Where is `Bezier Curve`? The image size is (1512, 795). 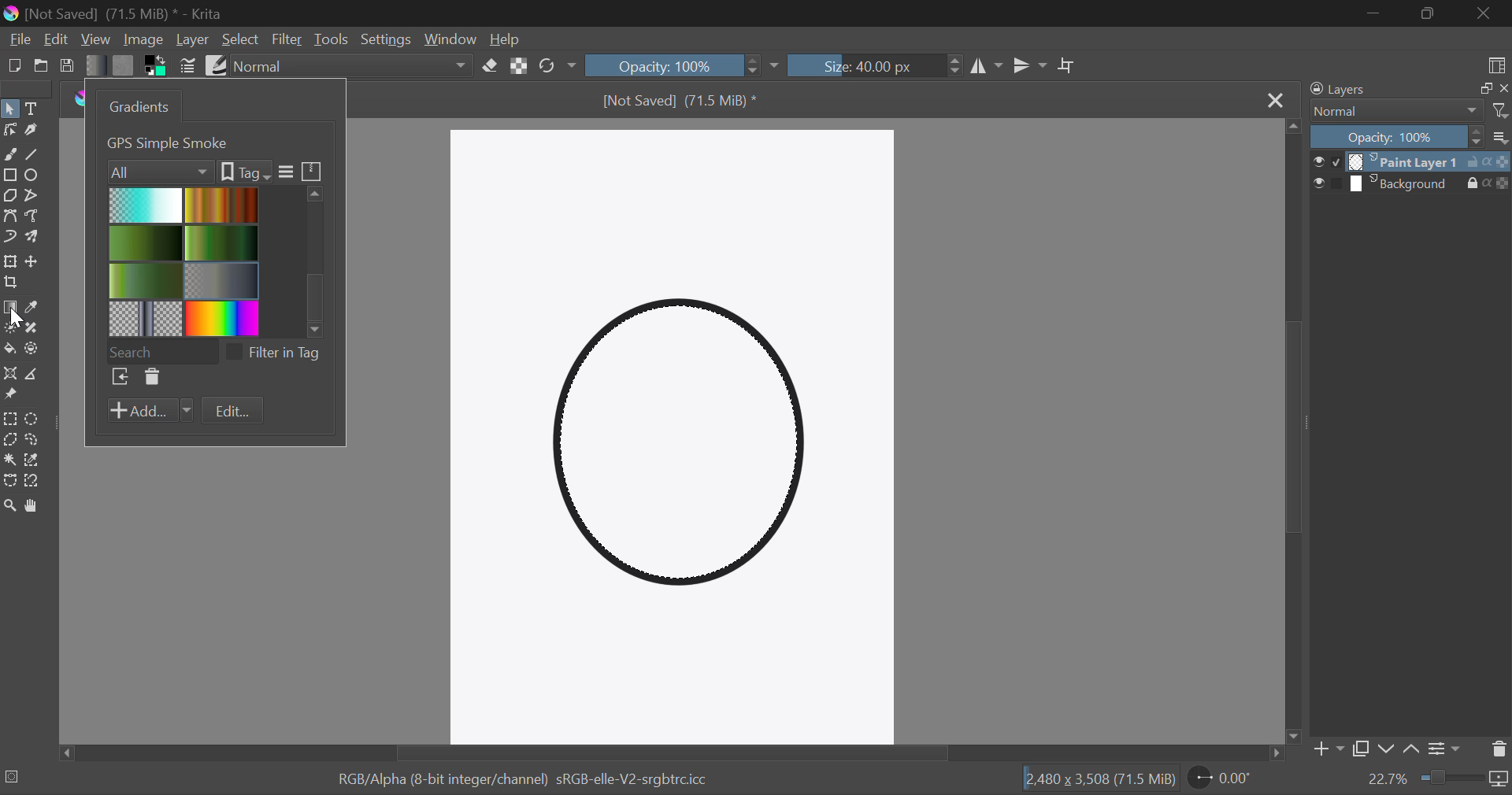 Bezier Curve is located at coordinates (10, 216).